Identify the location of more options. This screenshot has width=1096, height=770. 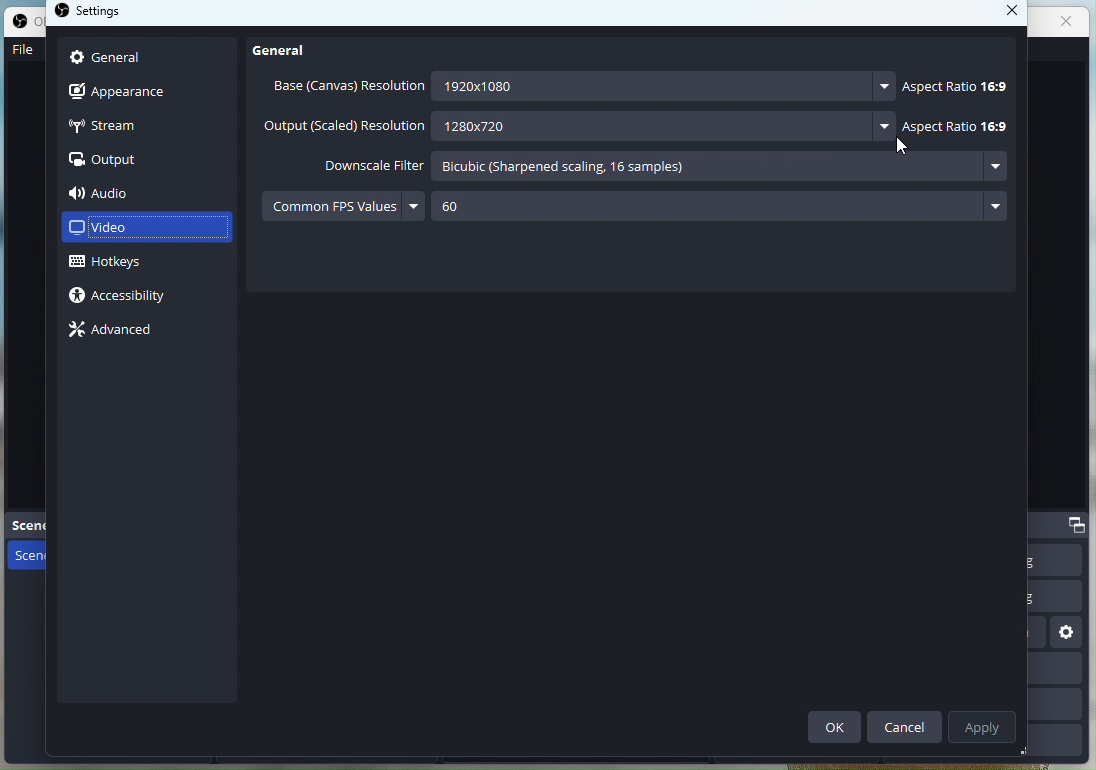
(995, 168).